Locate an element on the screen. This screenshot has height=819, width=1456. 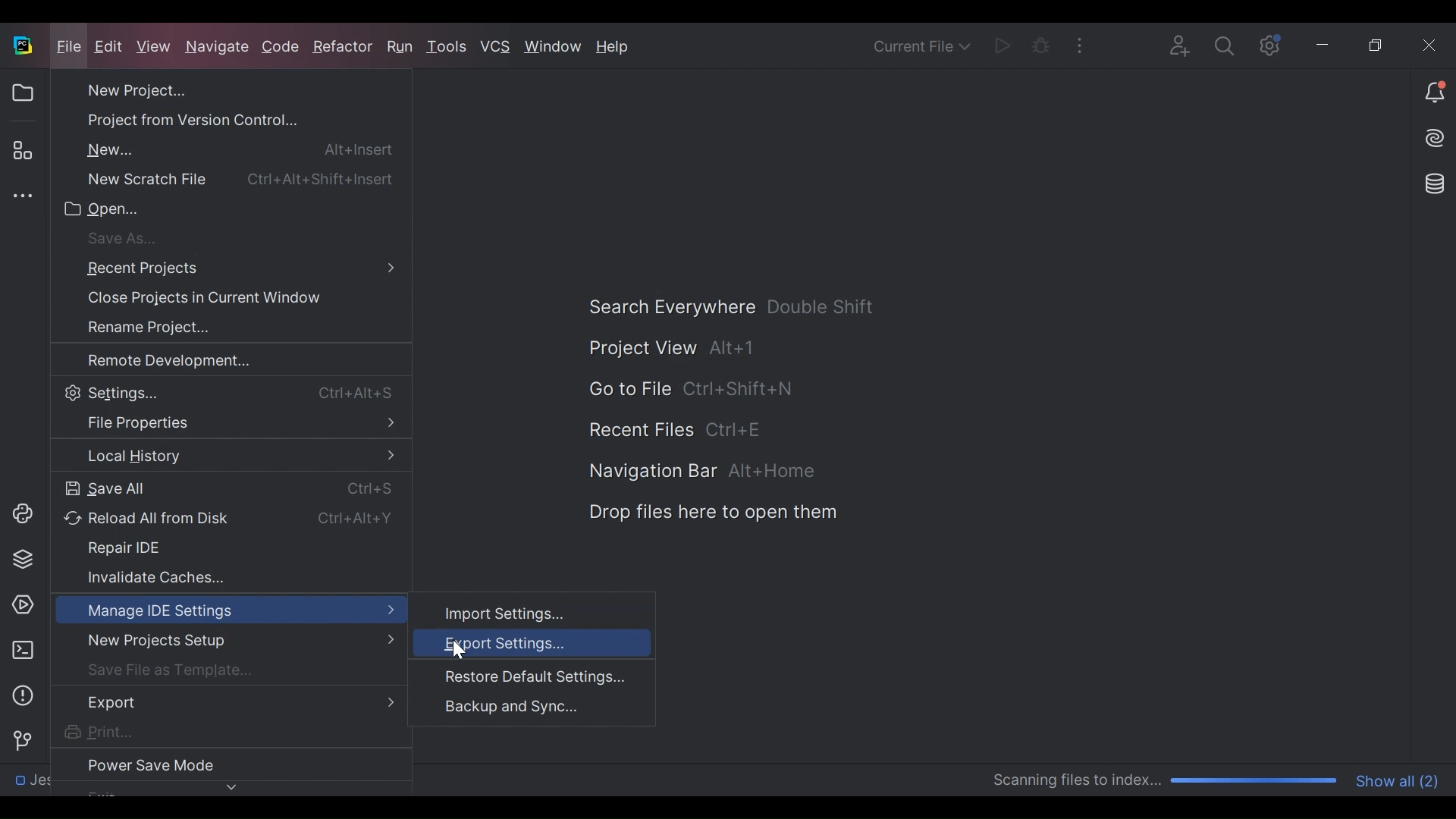
Restore Default Settings is located at coordinates (542, 677).